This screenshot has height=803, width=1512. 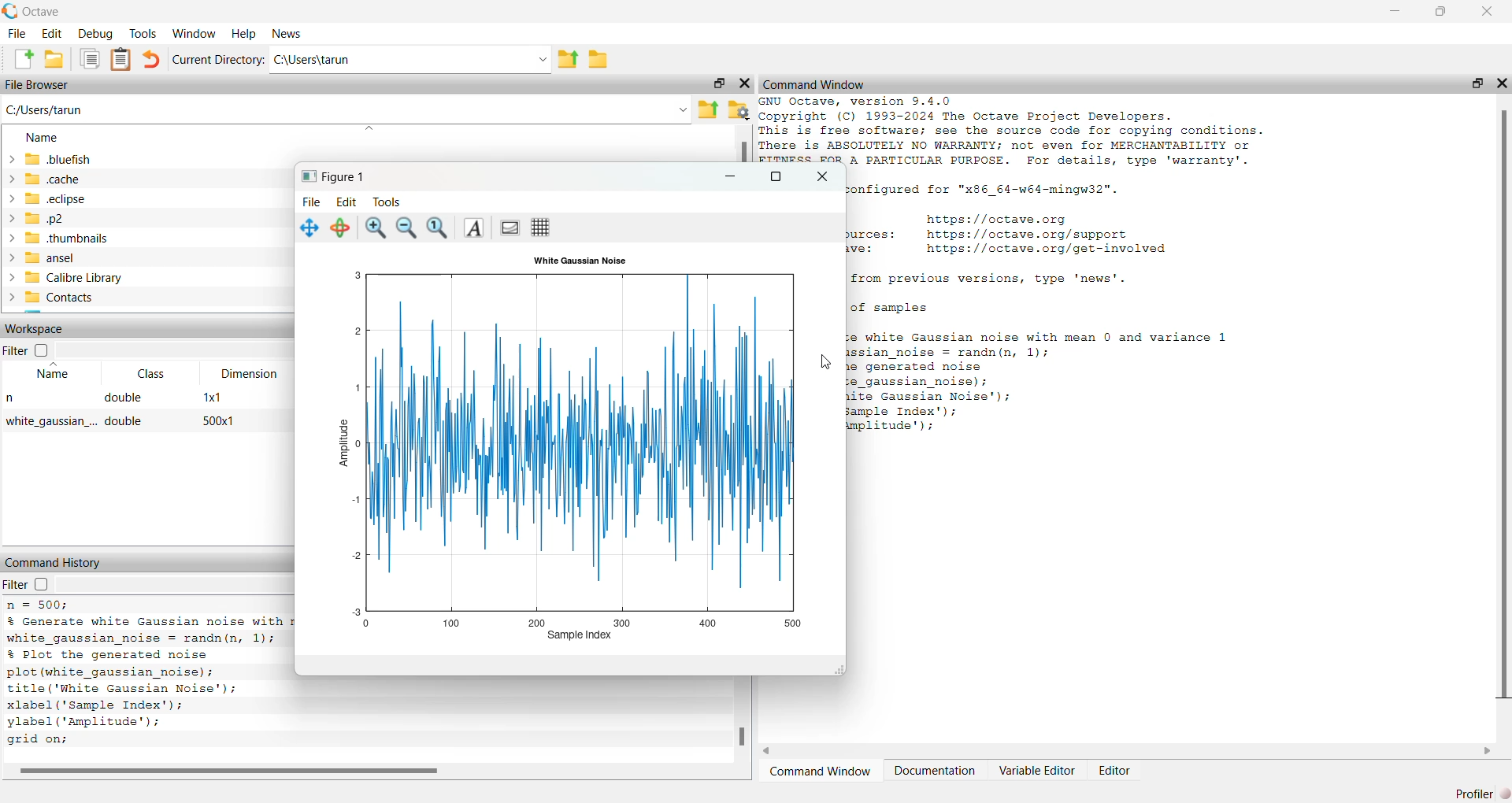 I want to click on horizontal scroll bar, so click(x=1128, y=750).